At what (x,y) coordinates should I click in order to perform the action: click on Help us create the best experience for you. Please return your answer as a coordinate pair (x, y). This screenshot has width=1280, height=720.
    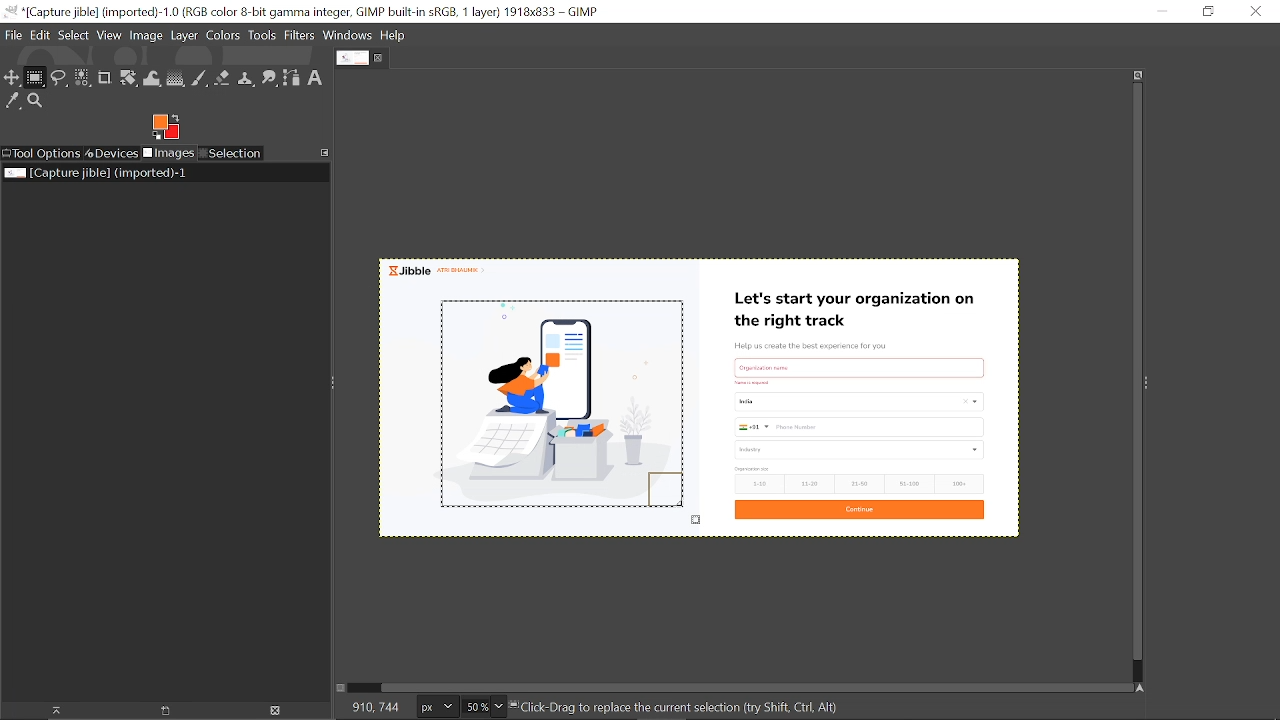
    Looking at the image, I should click on (825, 344).